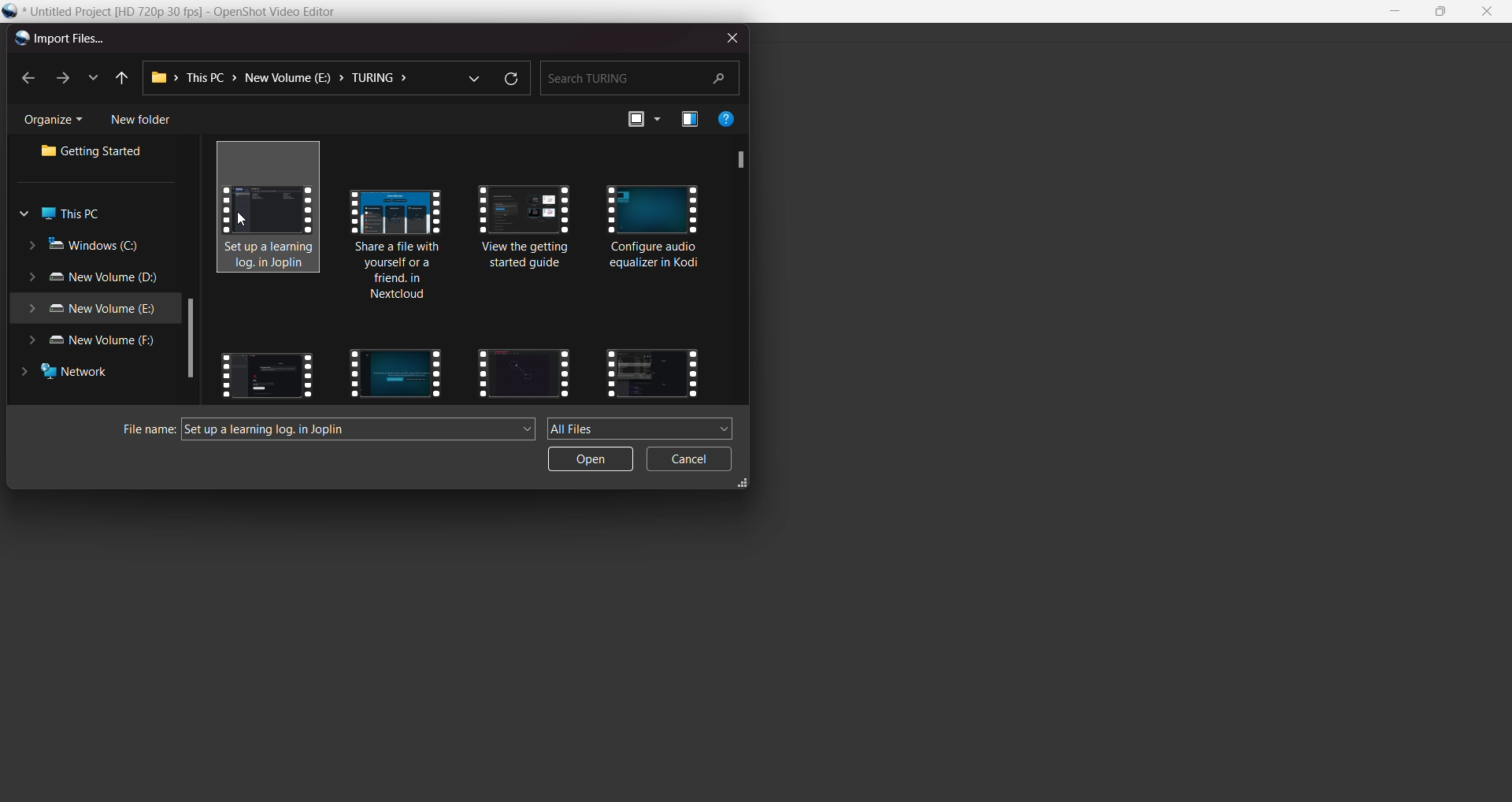 This screenshot has height=802, width=1512. What do you see at coordinates (58, 39) in the screenshot?
I see `import files` at bounding box center [58, 39].